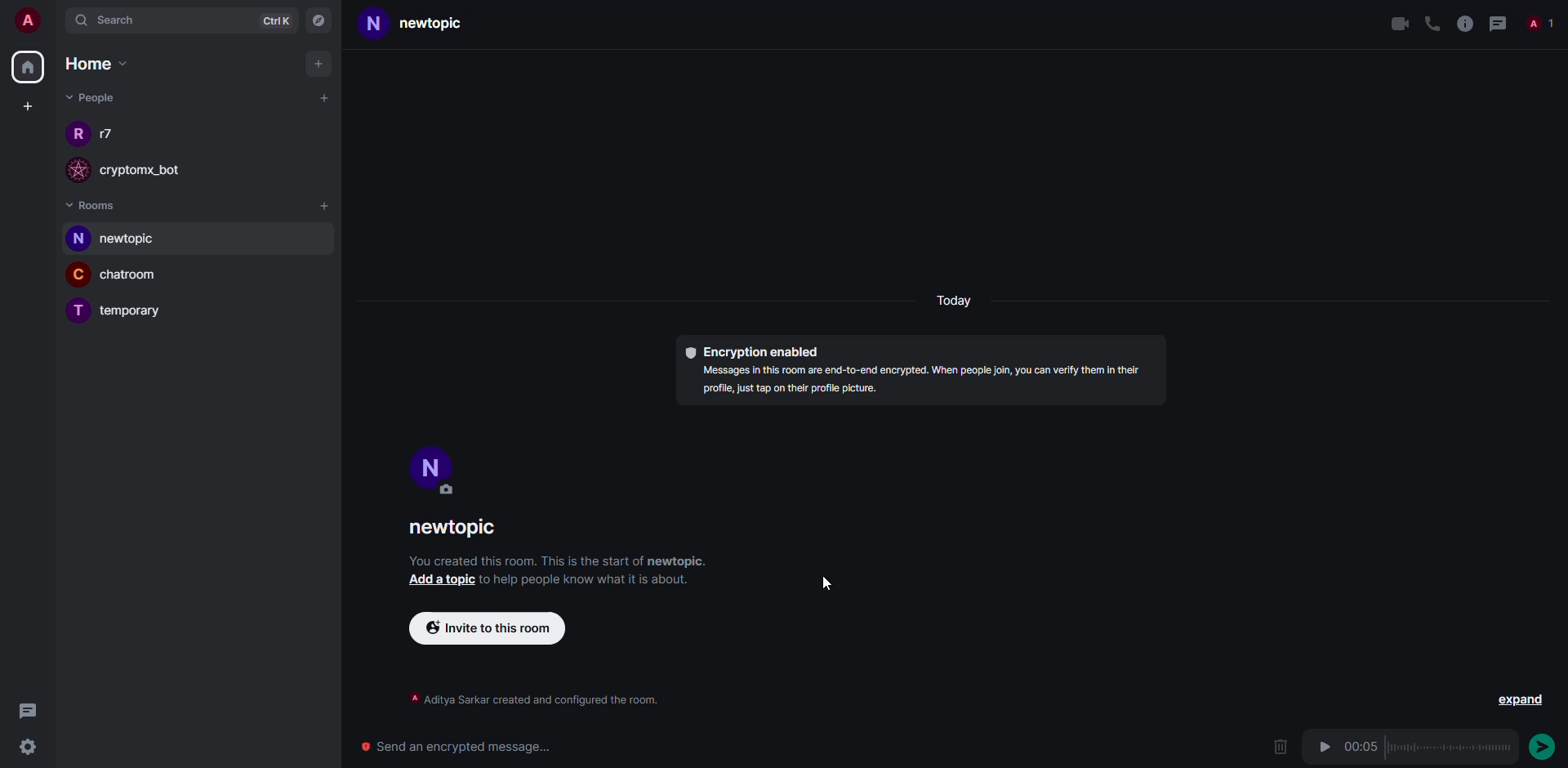  What do you see at coordinates (27, 108) in the screenshot?
I see `create space` at bounding box center [27, 108].